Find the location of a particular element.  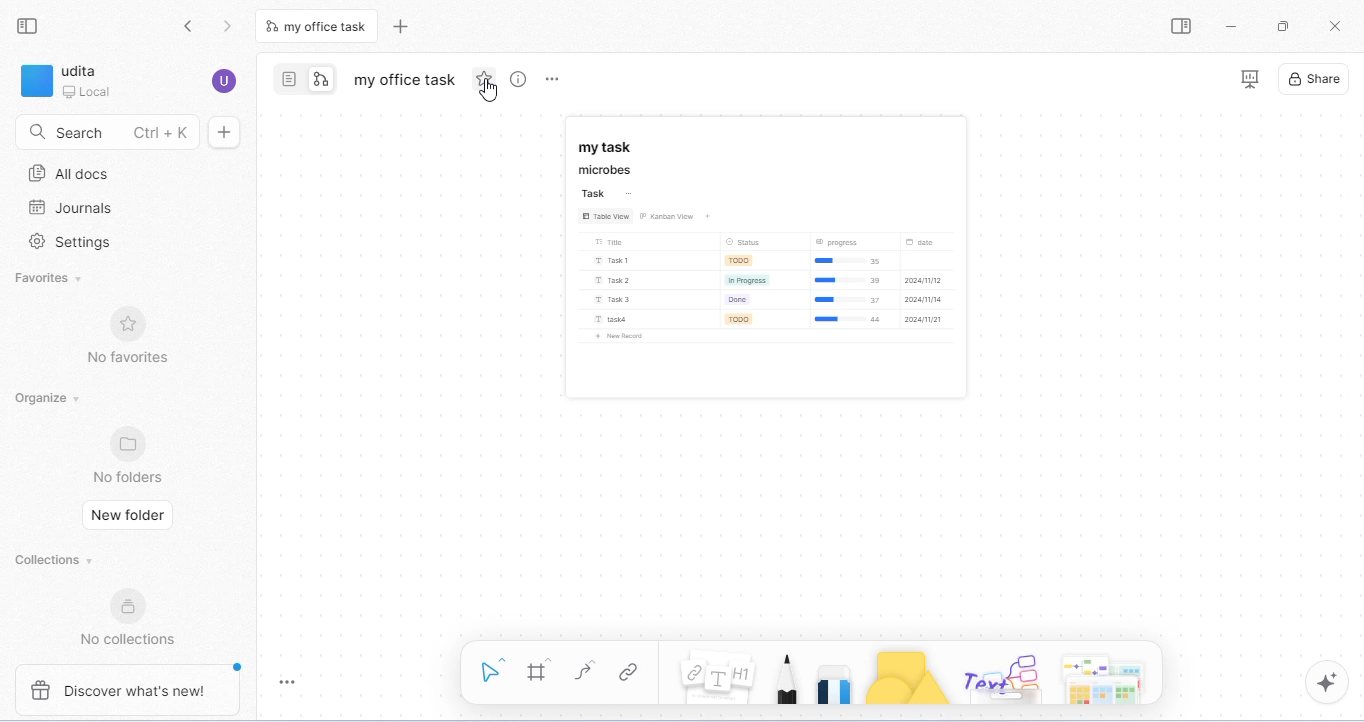

no favorites is located at coordinates (128, 332).